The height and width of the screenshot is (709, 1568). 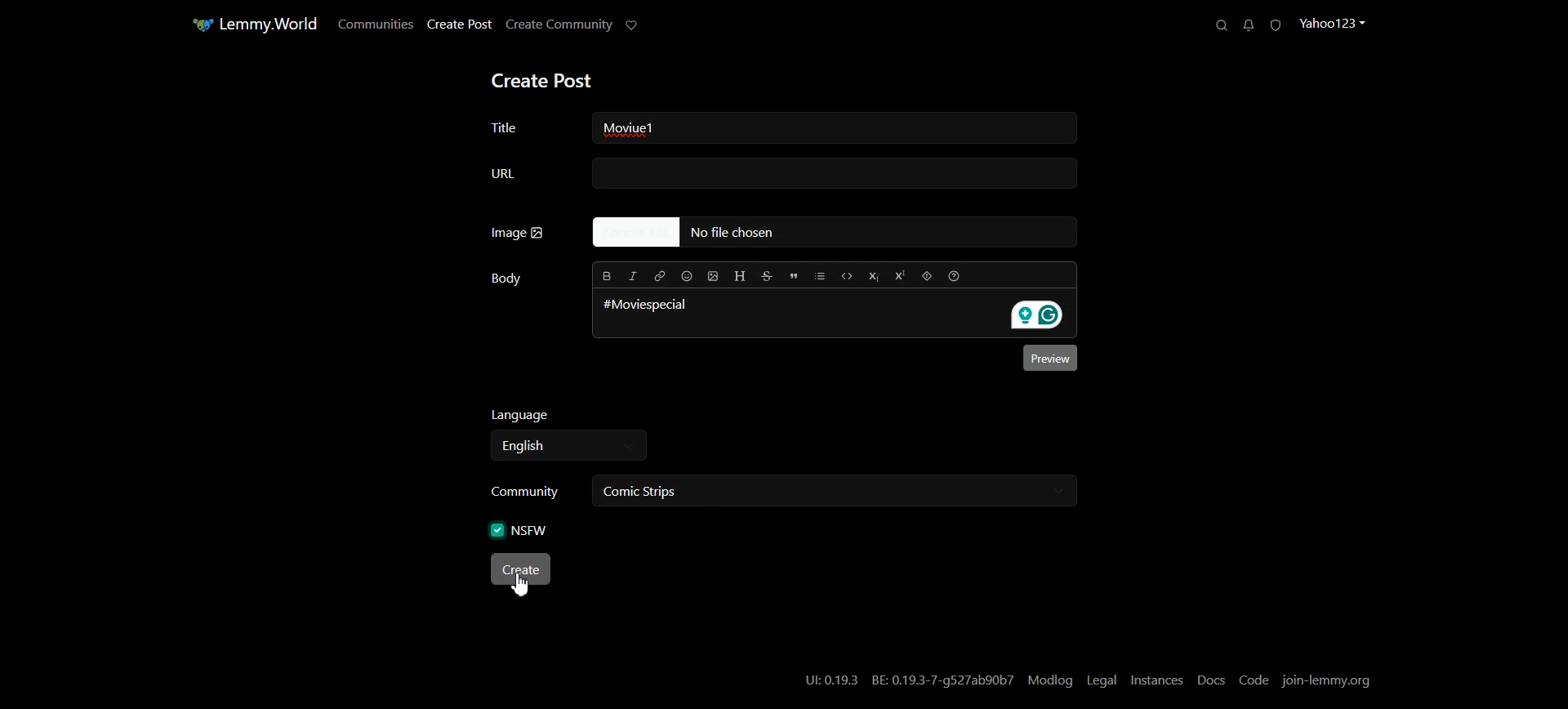 I want to click on Header, so click(x=743, y=276).